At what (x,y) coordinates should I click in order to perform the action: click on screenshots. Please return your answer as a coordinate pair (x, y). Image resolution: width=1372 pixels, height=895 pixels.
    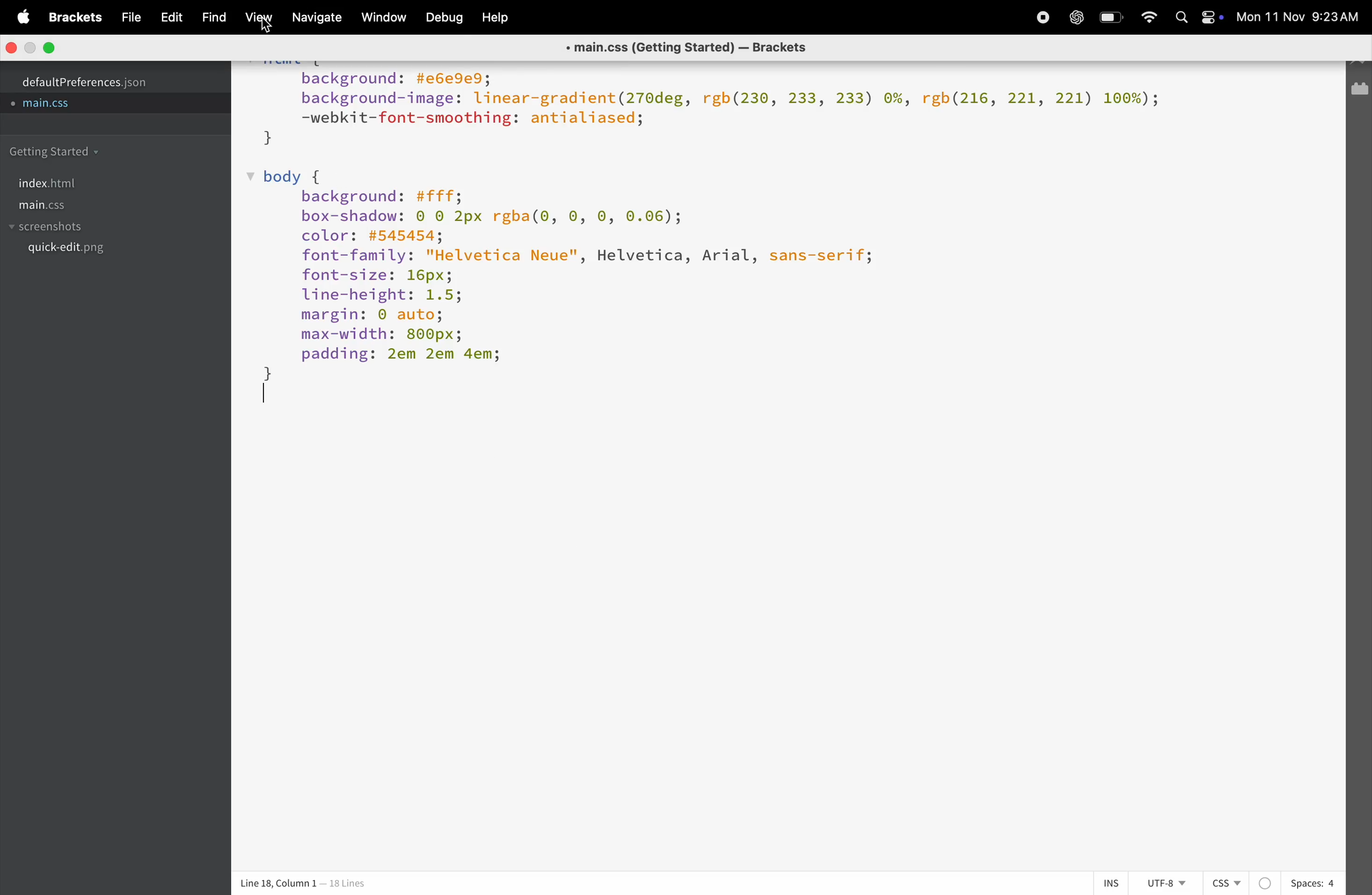
    Looking at the image, I should click on (51, 228).